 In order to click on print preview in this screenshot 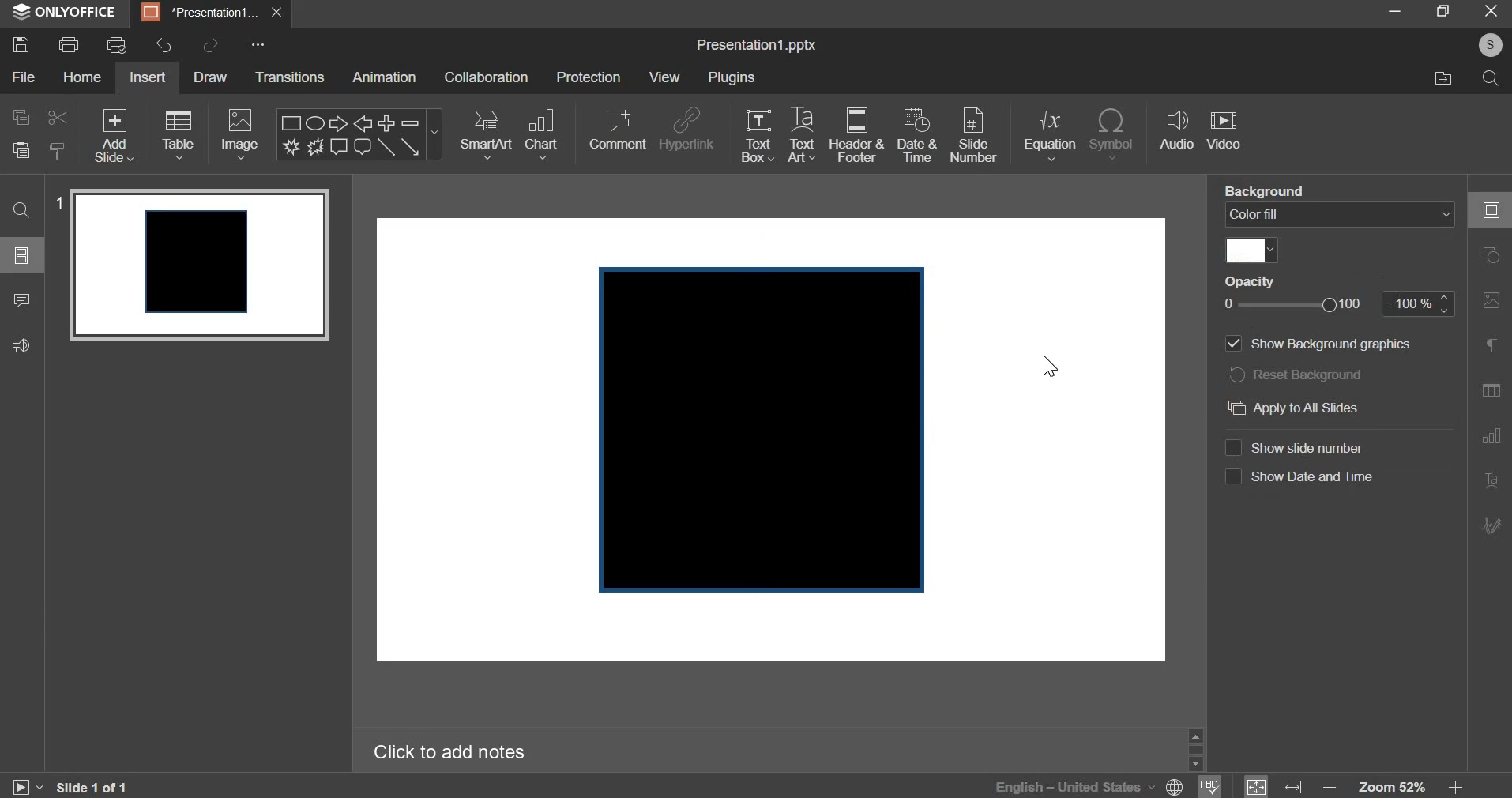, I will do `click(115, 45)`.